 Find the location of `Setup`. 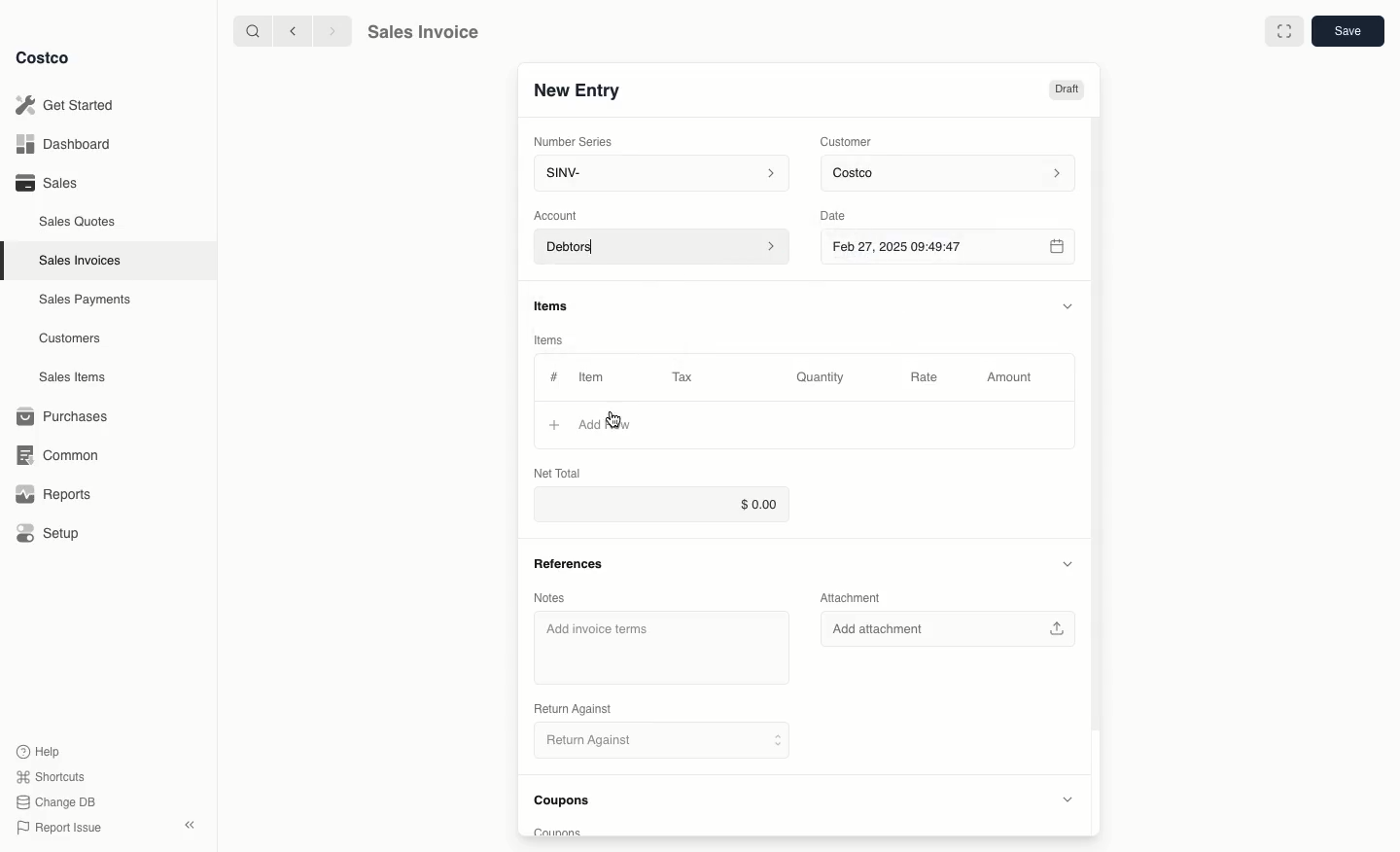

Setup is located at coordinates (50, 535).